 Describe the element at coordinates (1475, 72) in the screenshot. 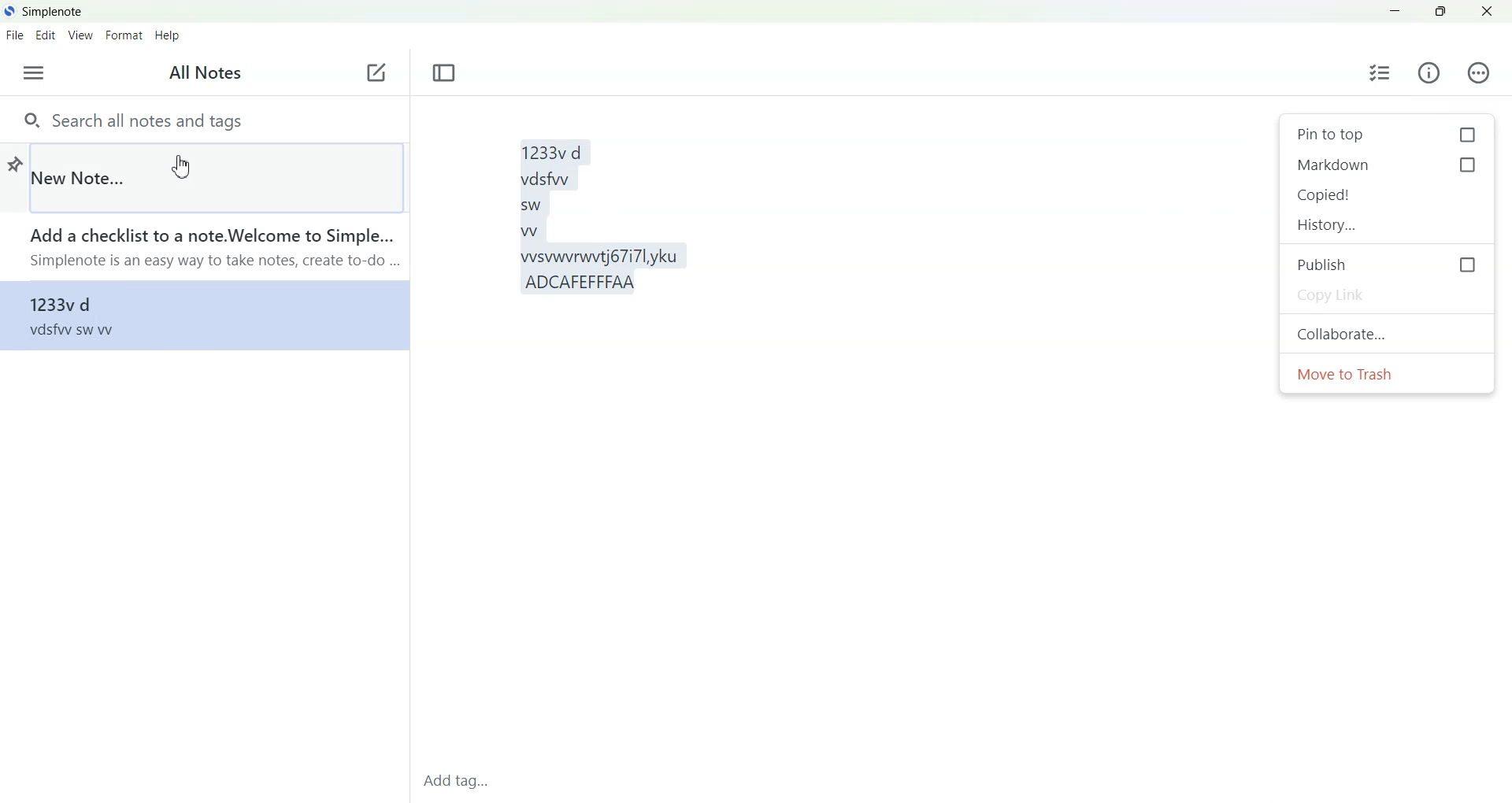

I see `Actions` at that location.